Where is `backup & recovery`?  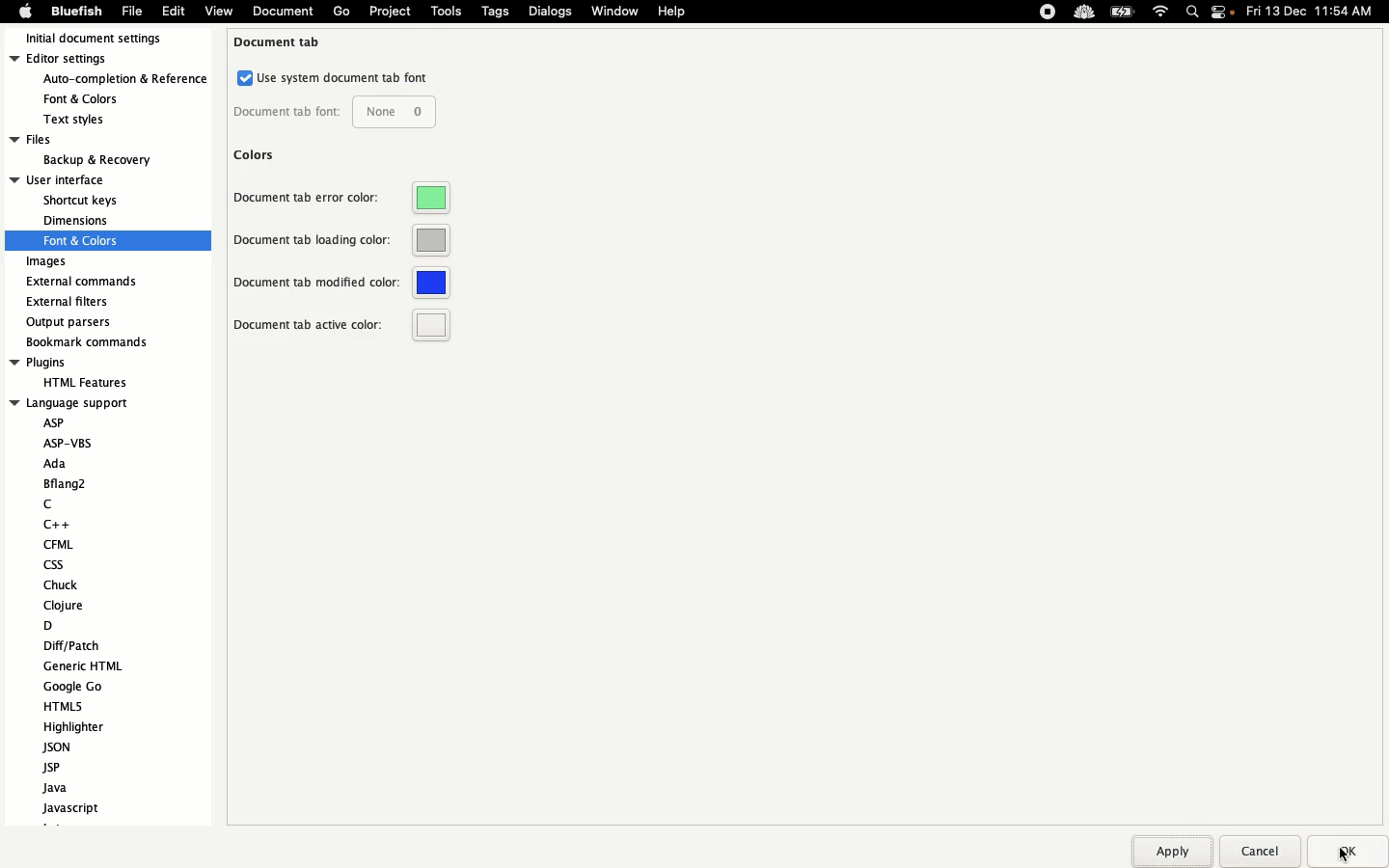
backup & recovery is located at coordinates (95, 160).